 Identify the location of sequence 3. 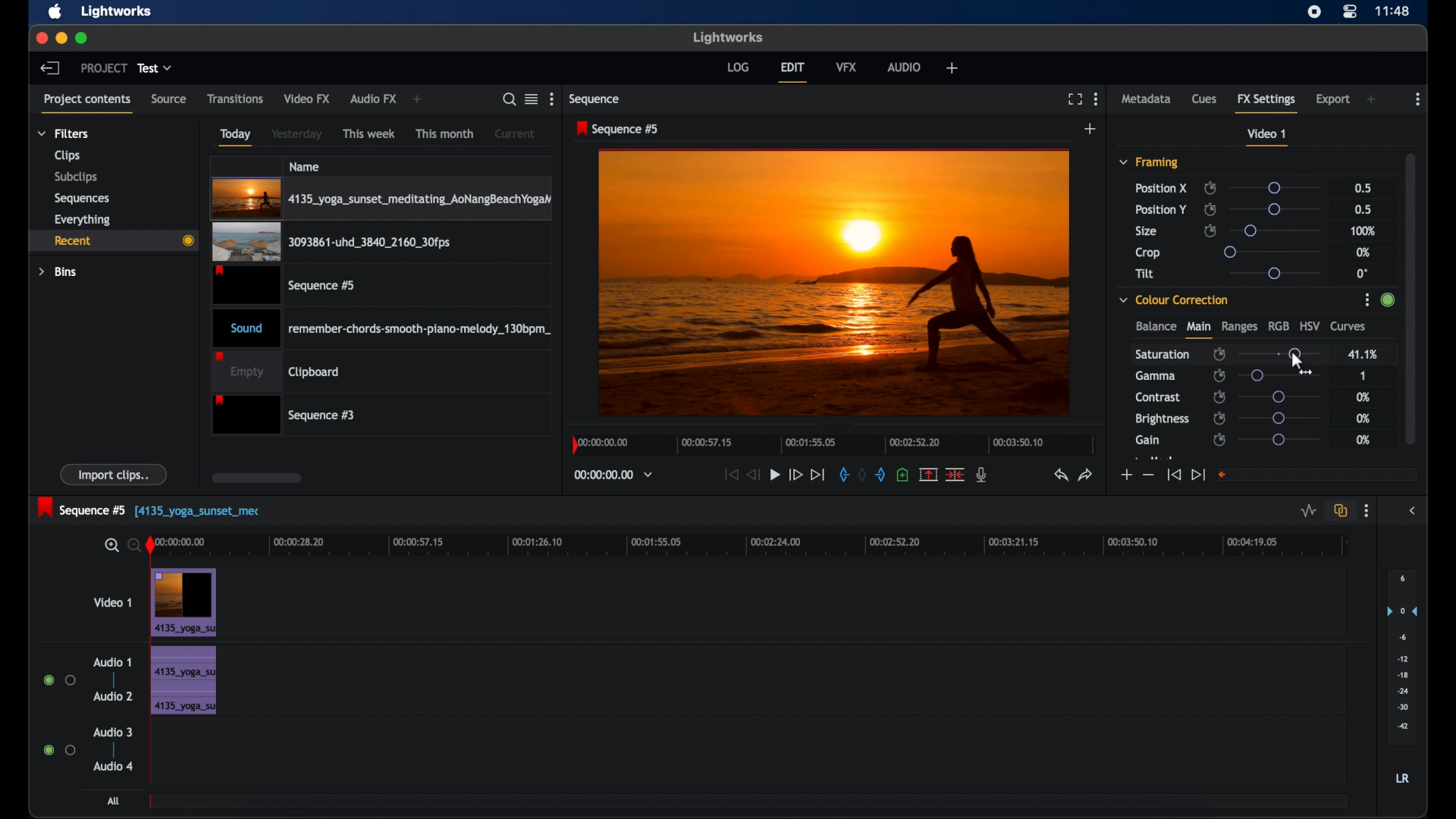
(284, 414).